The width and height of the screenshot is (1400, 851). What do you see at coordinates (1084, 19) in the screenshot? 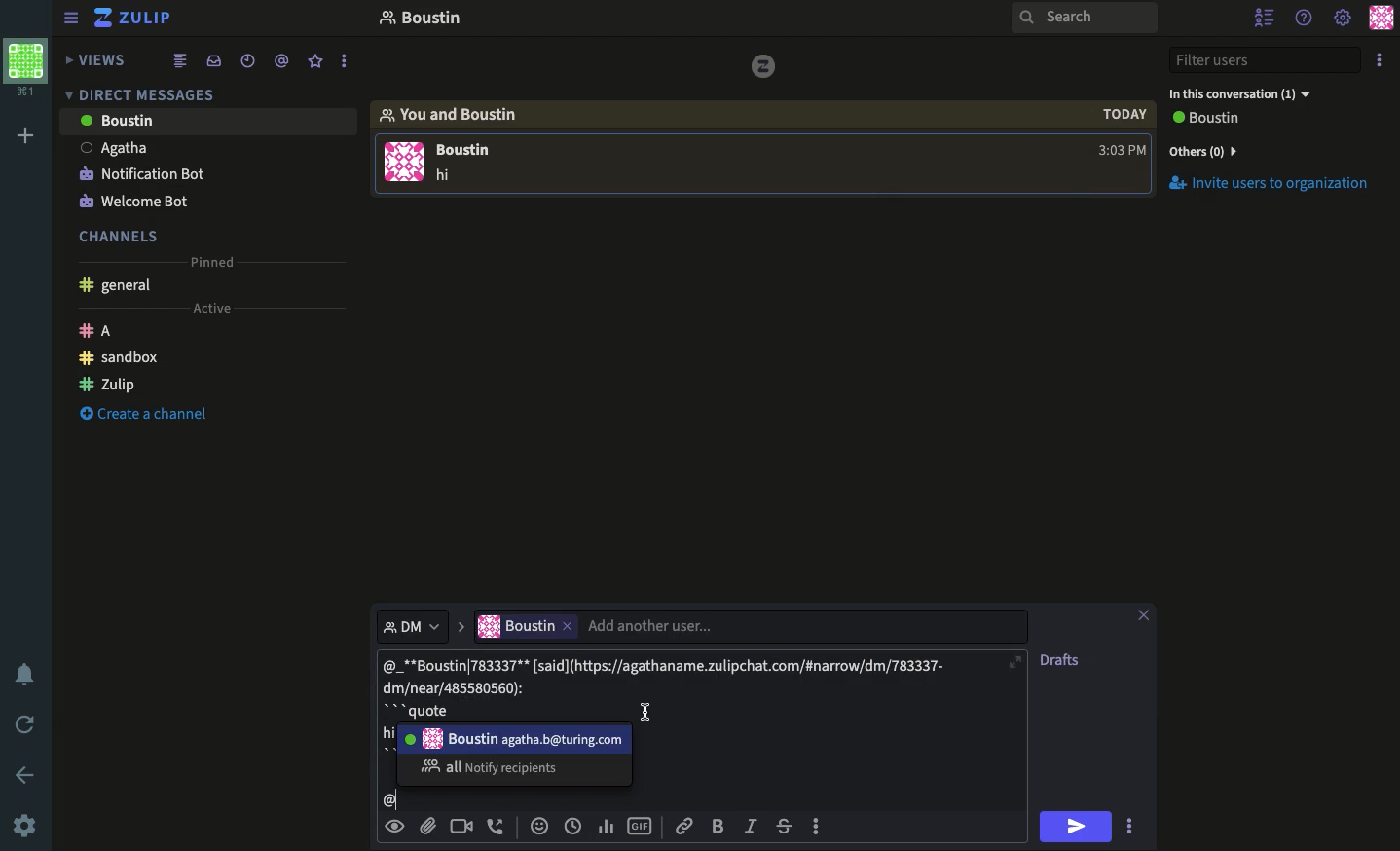
I see `Search` at bounding box center [1084, 19].